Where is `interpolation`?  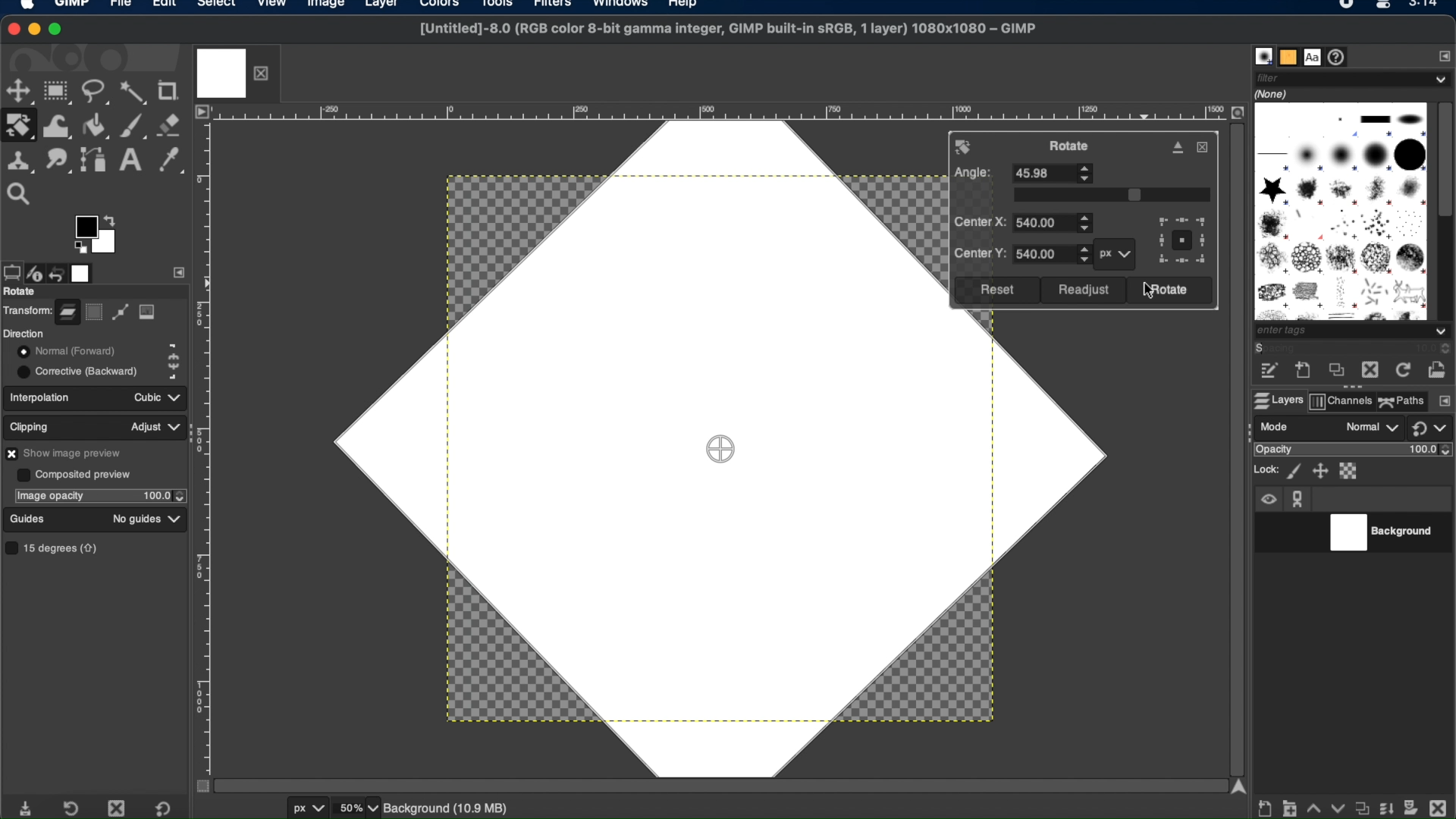
interpolation is located at coordinates (43, 397).